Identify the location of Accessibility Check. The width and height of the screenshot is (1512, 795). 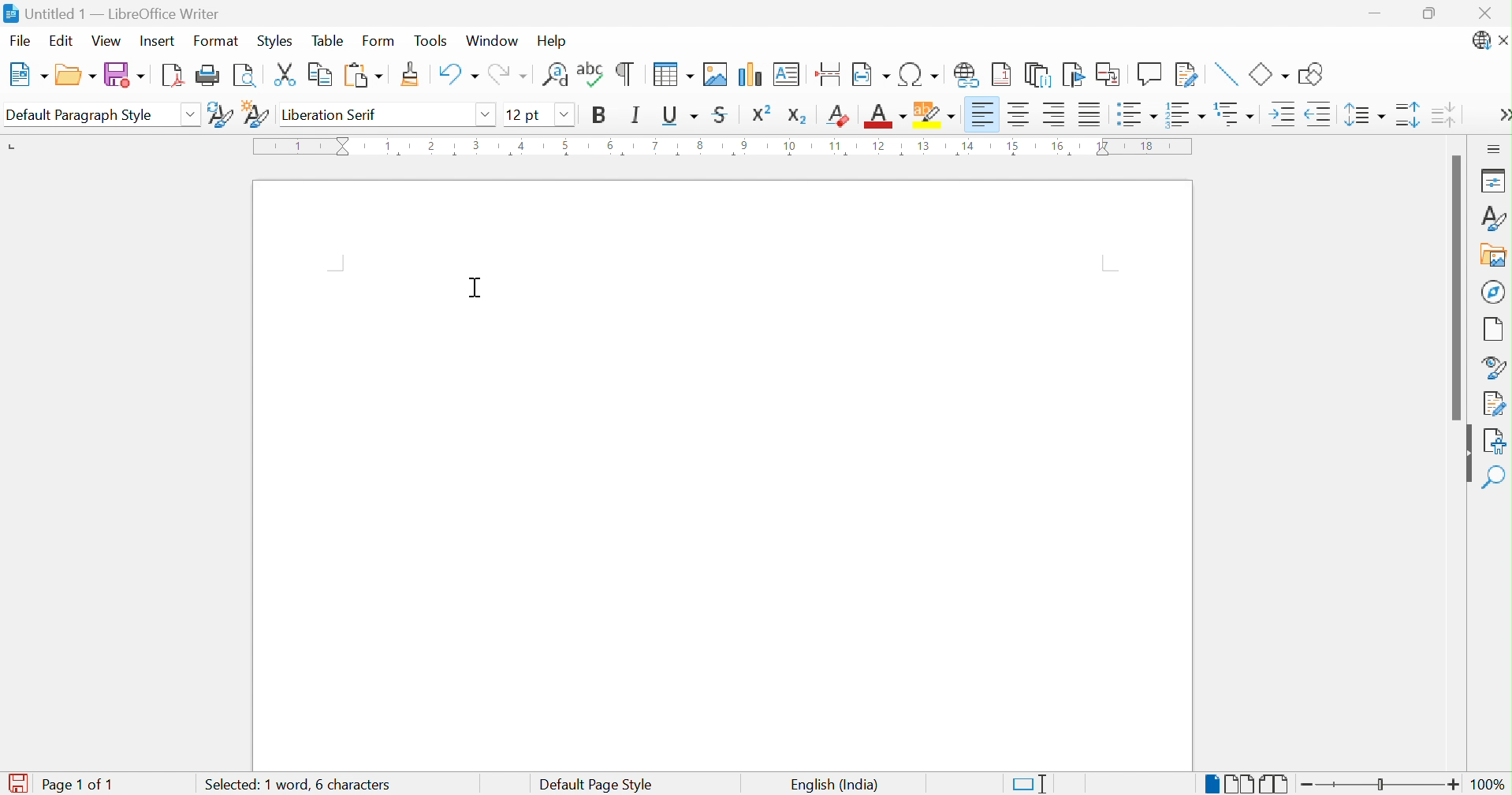
(1497, 439).